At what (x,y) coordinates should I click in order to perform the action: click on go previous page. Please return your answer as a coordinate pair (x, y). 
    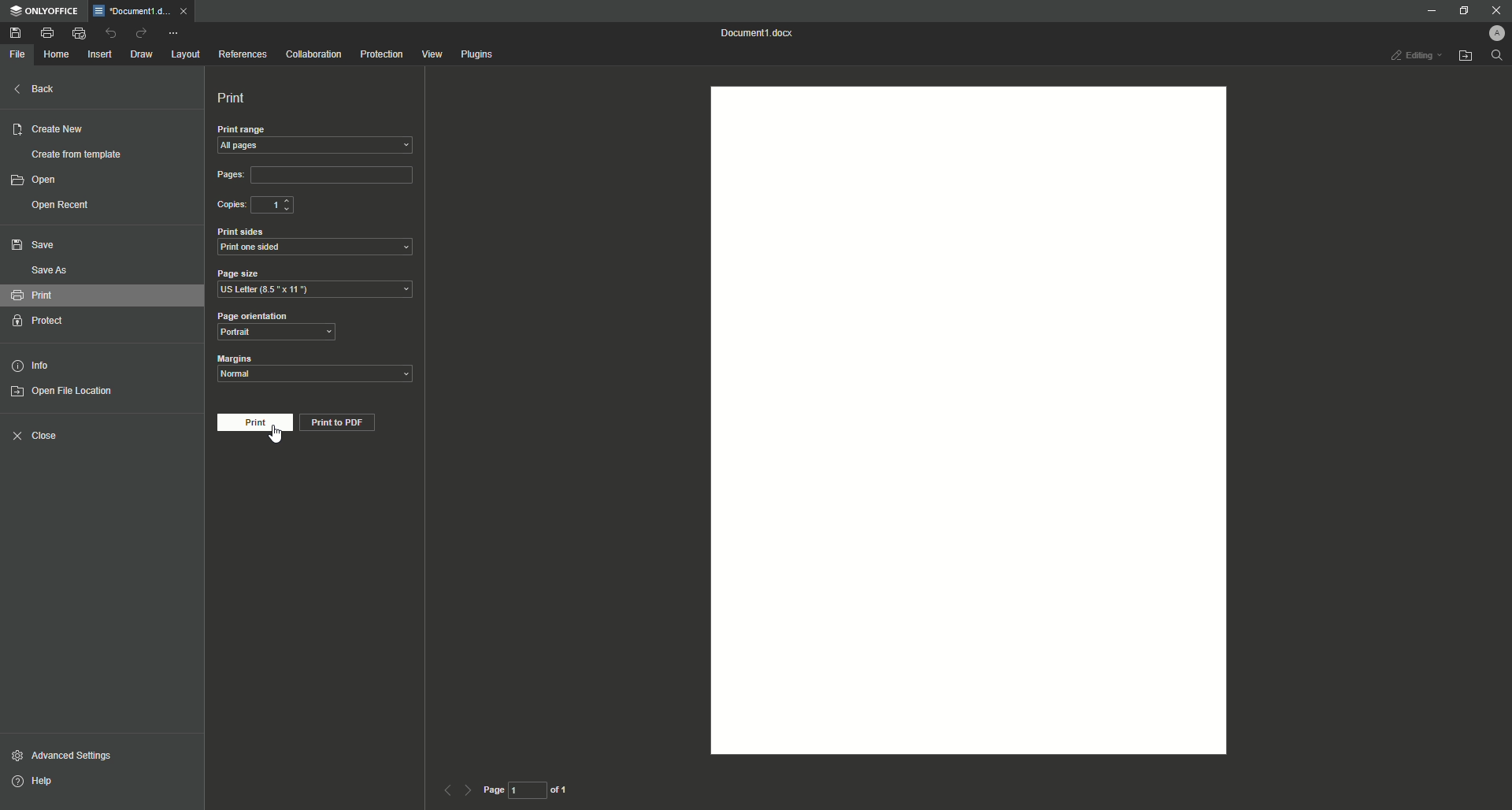
    Looking at the image, I should click on (447, 790).